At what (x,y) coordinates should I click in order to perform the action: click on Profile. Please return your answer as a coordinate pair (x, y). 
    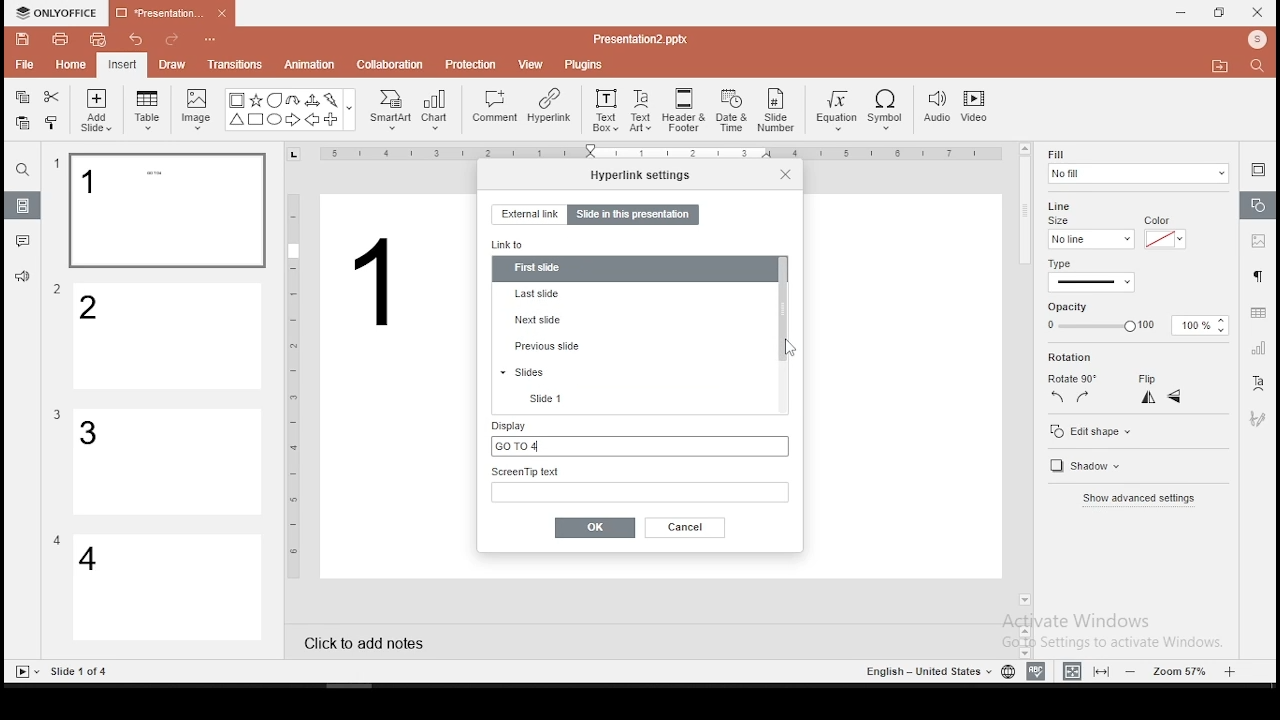
    Looking at the image, I should click on (1259, 40).